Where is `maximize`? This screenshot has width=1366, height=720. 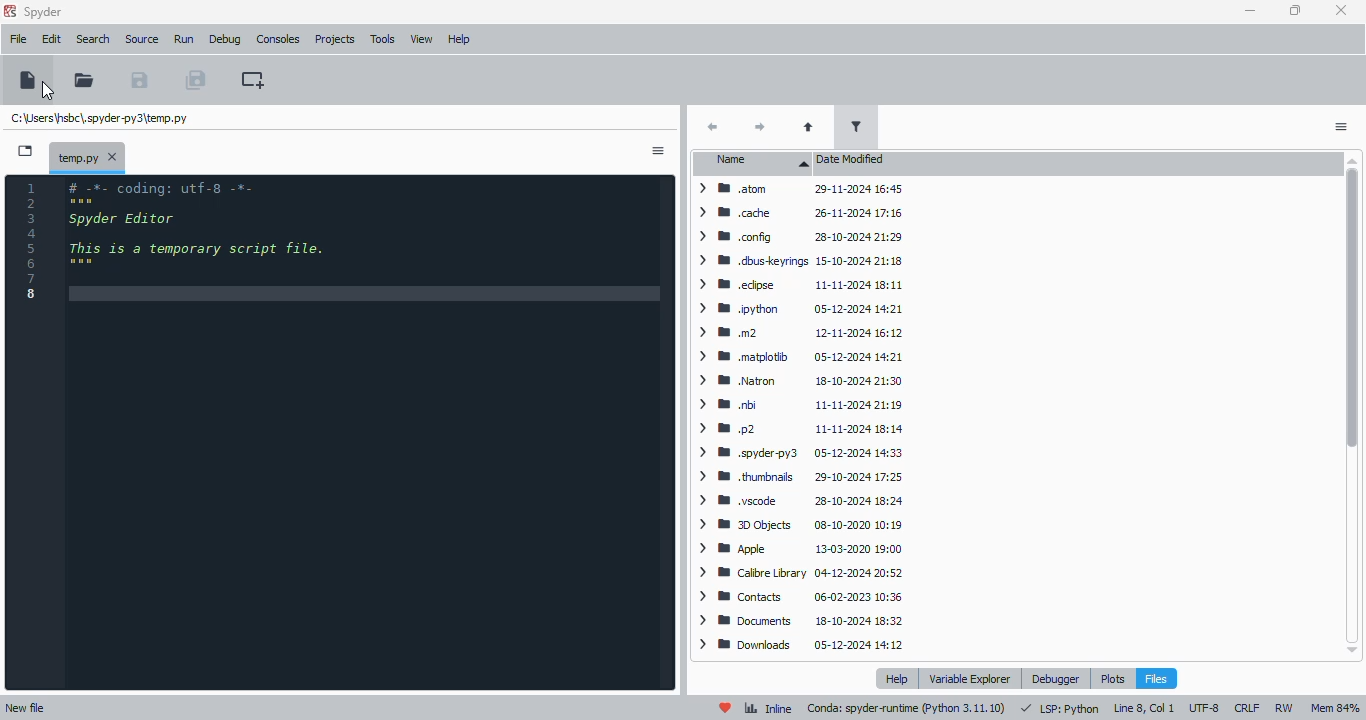 maximize is located at coordinates (1296, 10).